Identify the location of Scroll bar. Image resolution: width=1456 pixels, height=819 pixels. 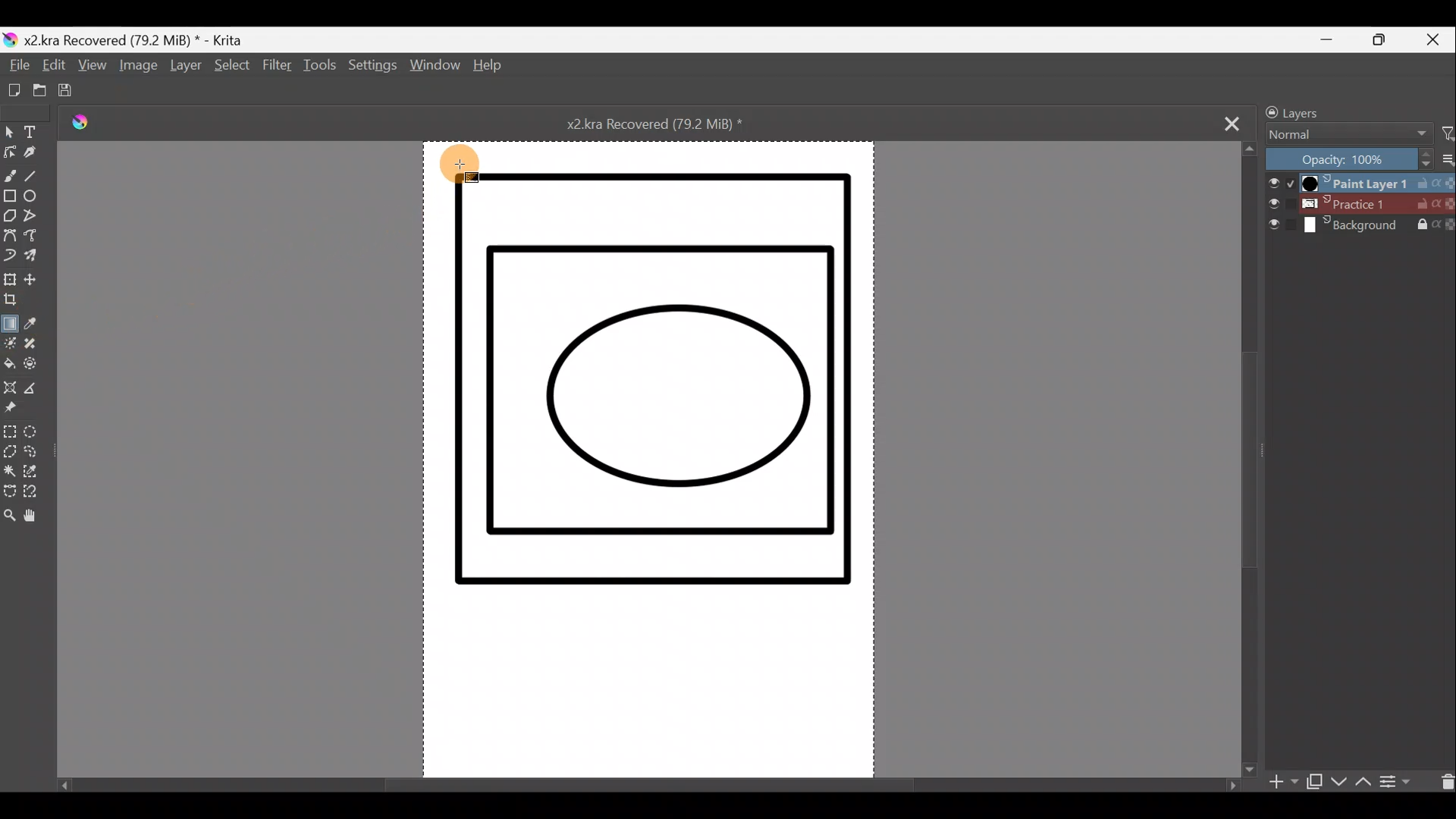
(1250, 457).